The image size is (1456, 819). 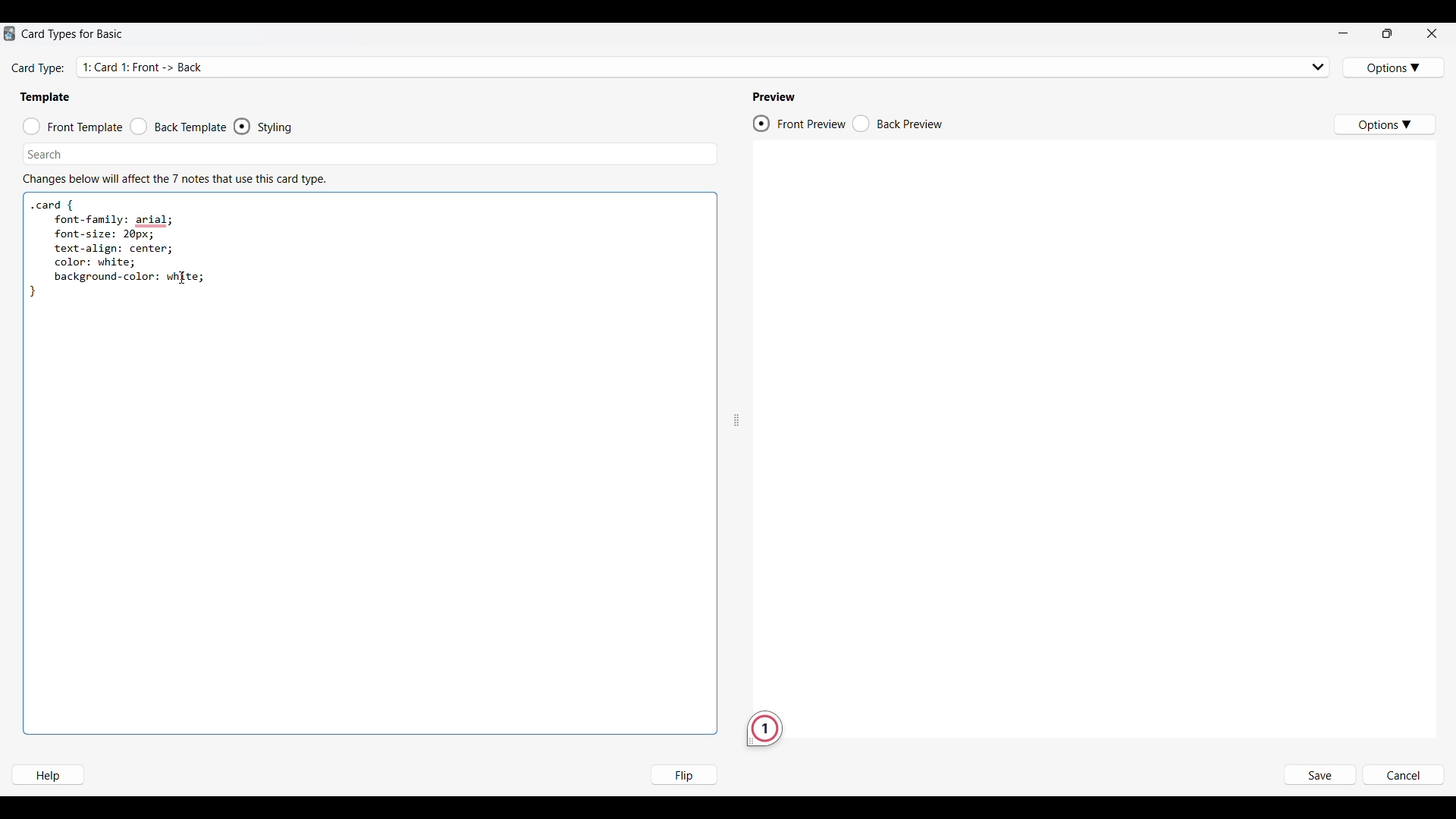 What do you see at coordinates (1147, 198) in the screenshot?
I see `Text in preview section changed` at bounding box center [1147, 198].